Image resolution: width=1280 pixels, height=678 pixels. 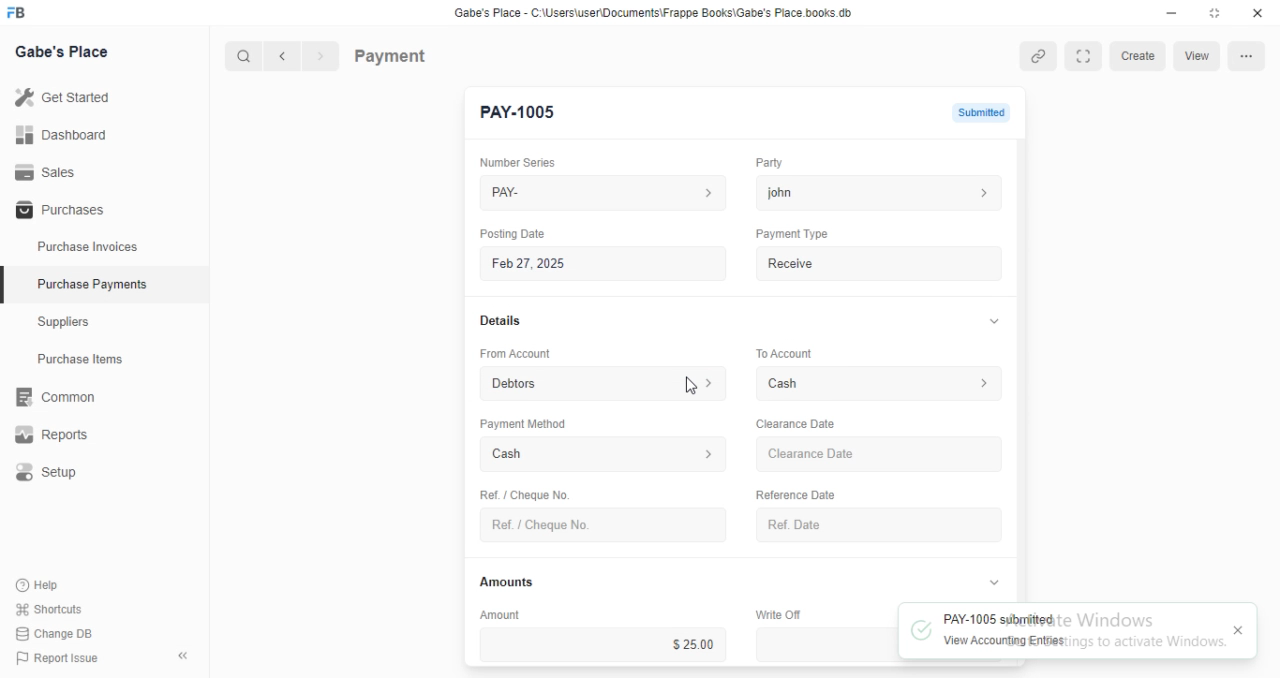 I want to click on Reports., so click(x=59, y=435).